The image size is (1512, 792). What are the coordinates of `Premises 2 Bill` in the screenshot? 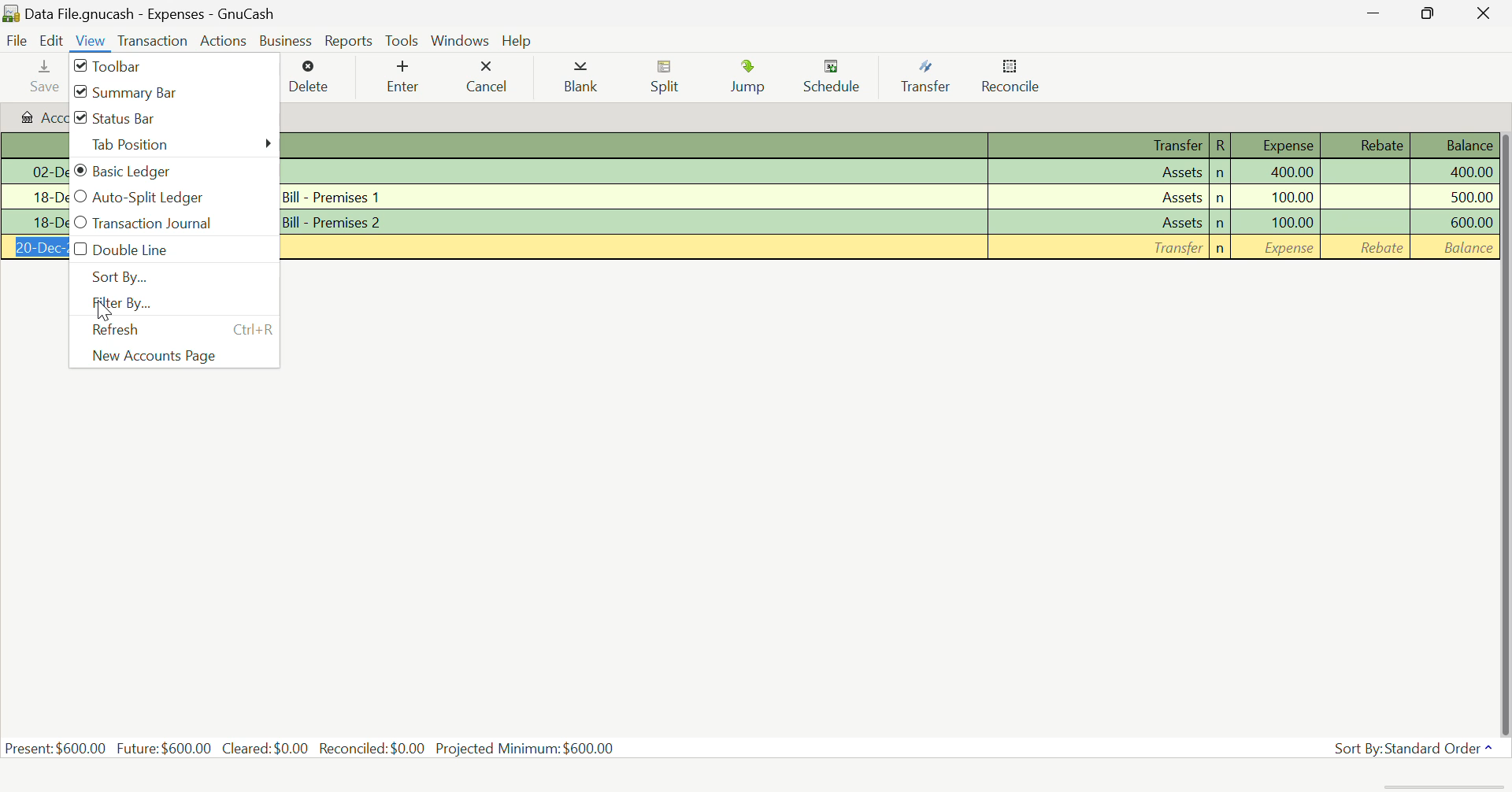 It's located at (633, 220).